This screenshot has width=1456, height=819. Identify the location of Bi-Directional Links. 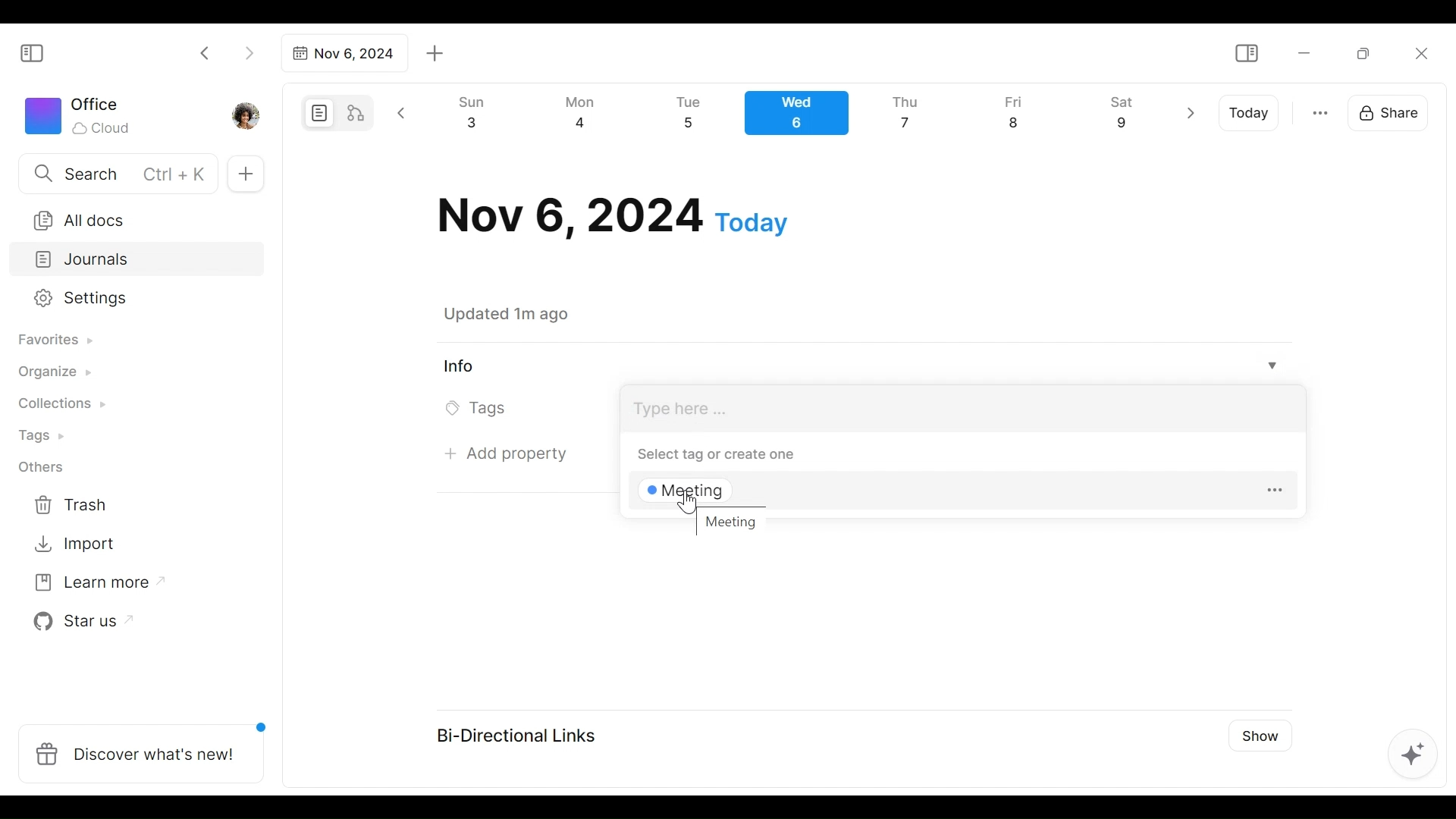
(524, 734).